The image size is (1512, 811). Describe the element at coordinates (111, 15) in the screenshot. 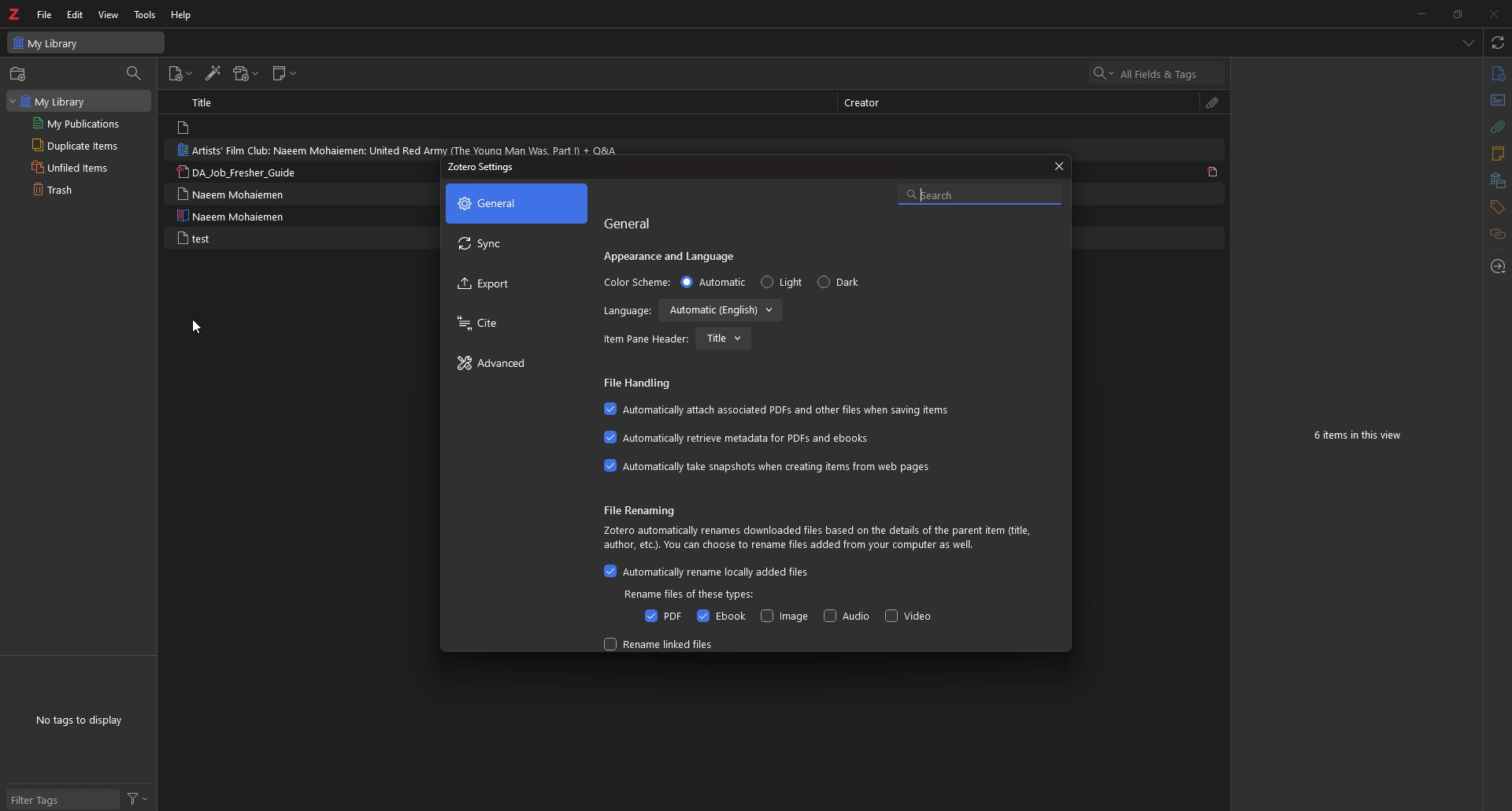

I see `view` at that location.